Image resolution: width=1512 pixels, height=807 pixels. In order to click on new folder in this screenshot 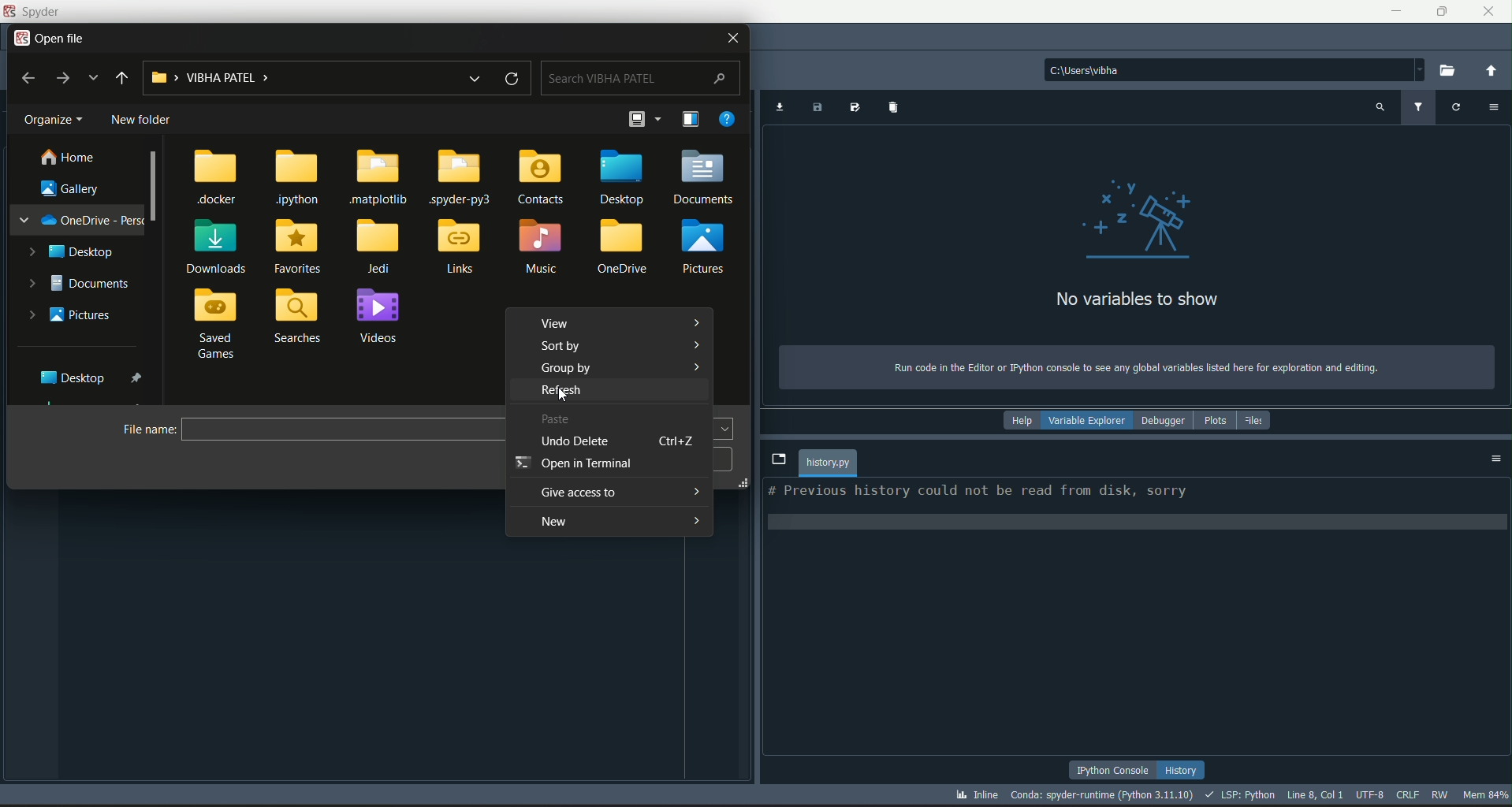, I will do `click(143, 119)`.